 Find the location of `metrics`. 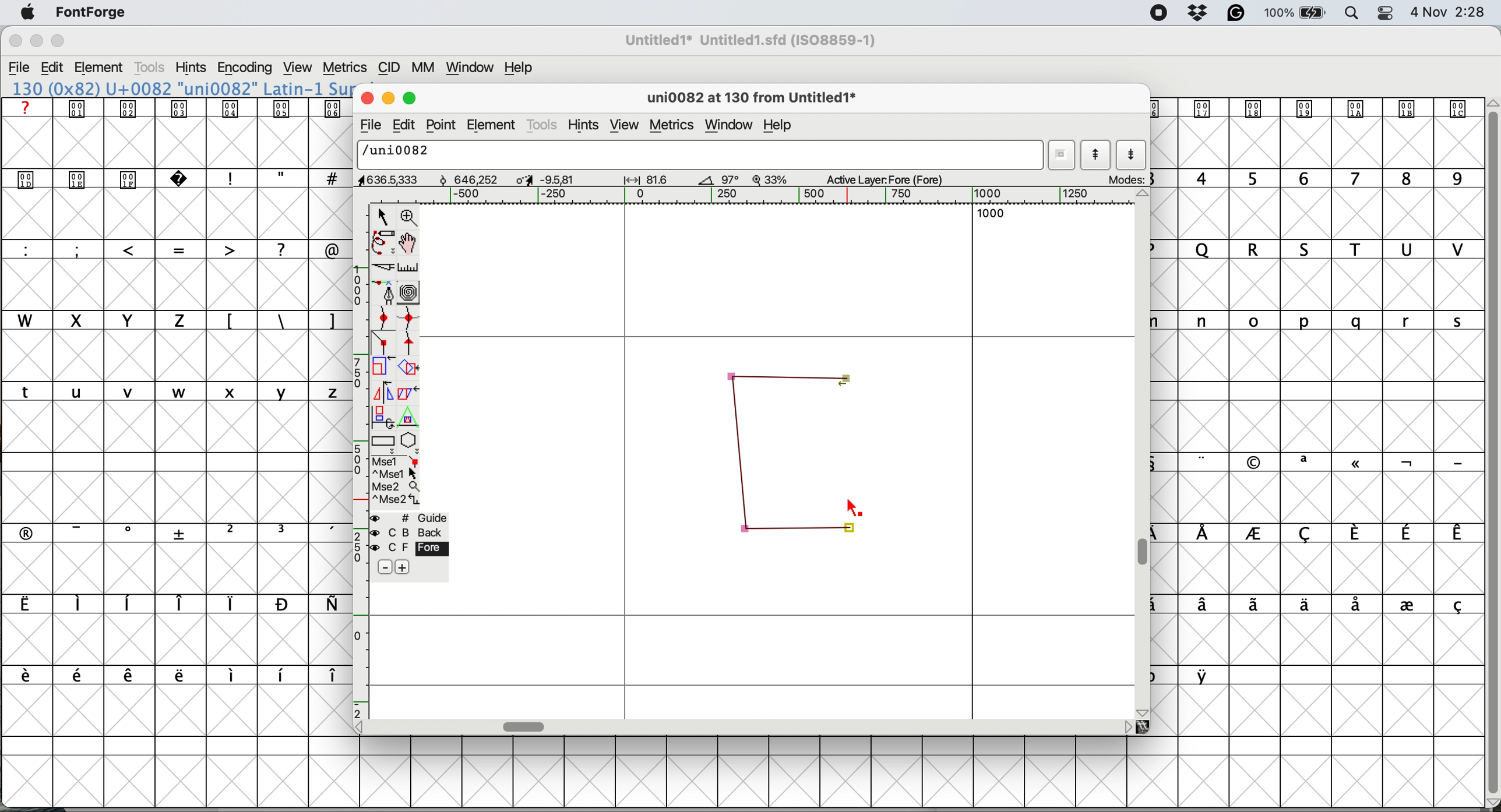

metrics is located at coordinates (674, 127).